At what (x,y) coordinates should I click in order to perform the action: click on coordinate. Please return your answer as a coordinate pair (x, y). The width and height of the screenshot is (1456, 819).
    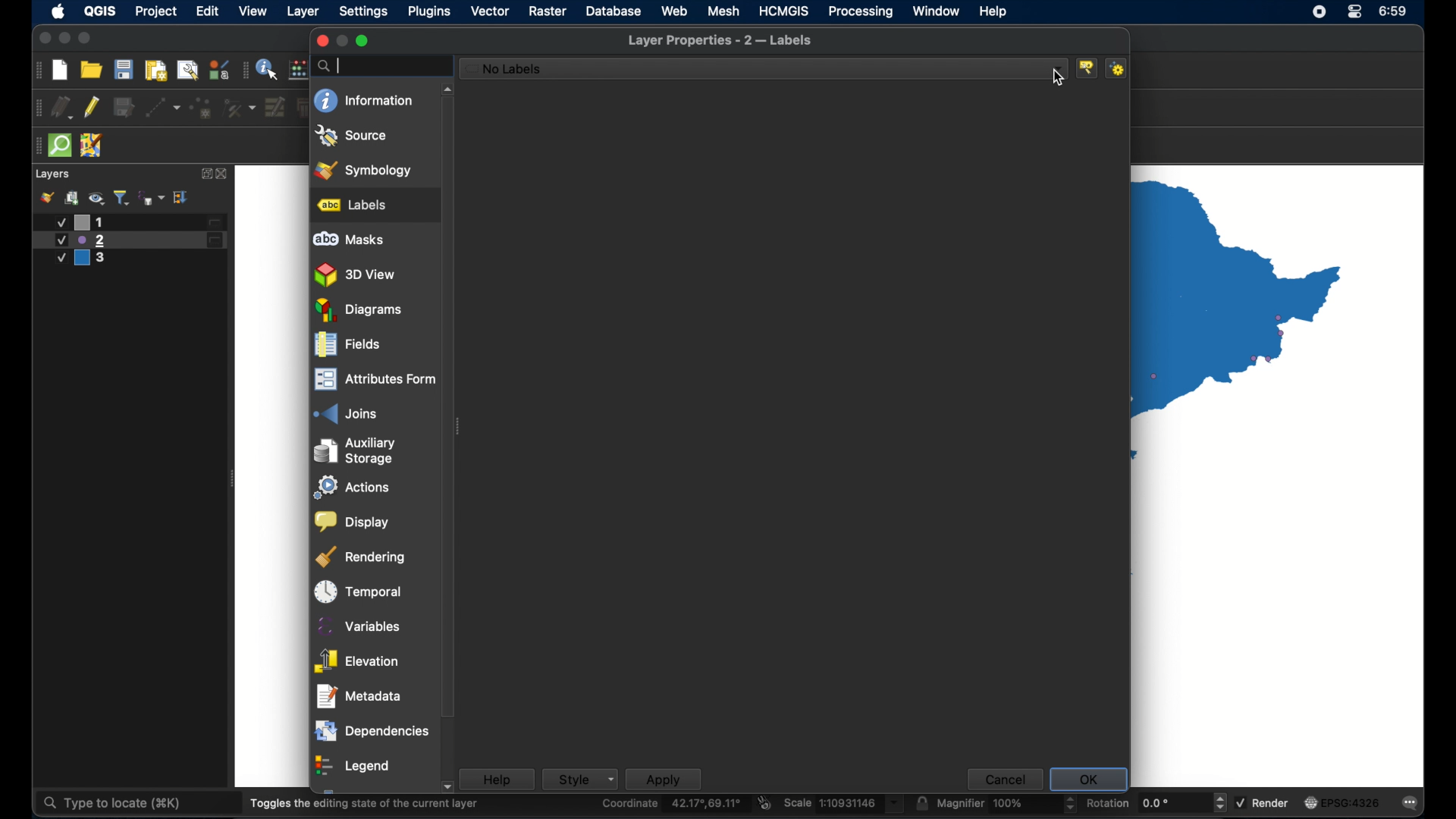
    Looking at the image, I should click on (673, 804).